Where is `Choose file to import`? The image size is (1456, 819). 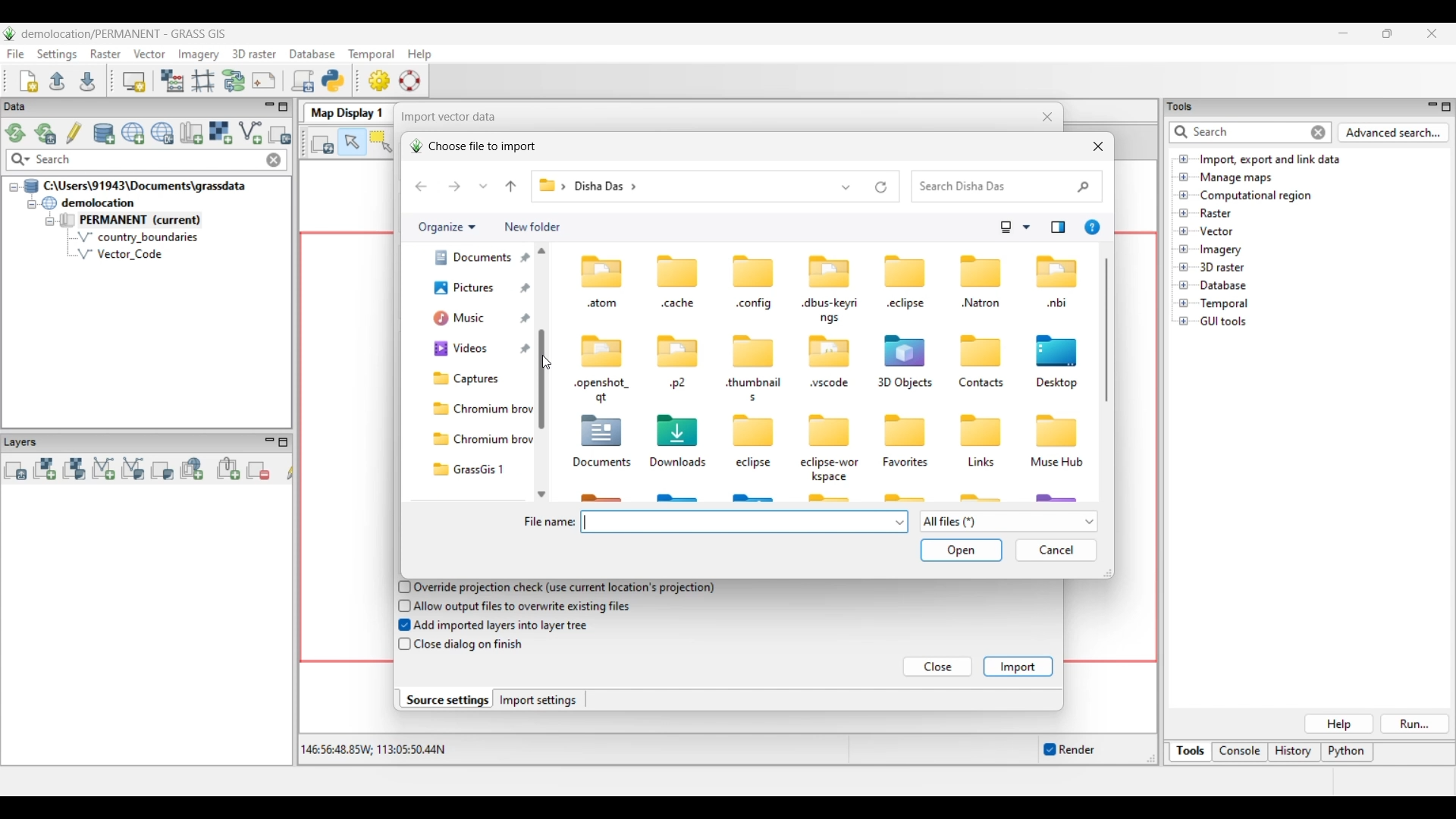
Choose file to import is located at coordinates (472, 146).